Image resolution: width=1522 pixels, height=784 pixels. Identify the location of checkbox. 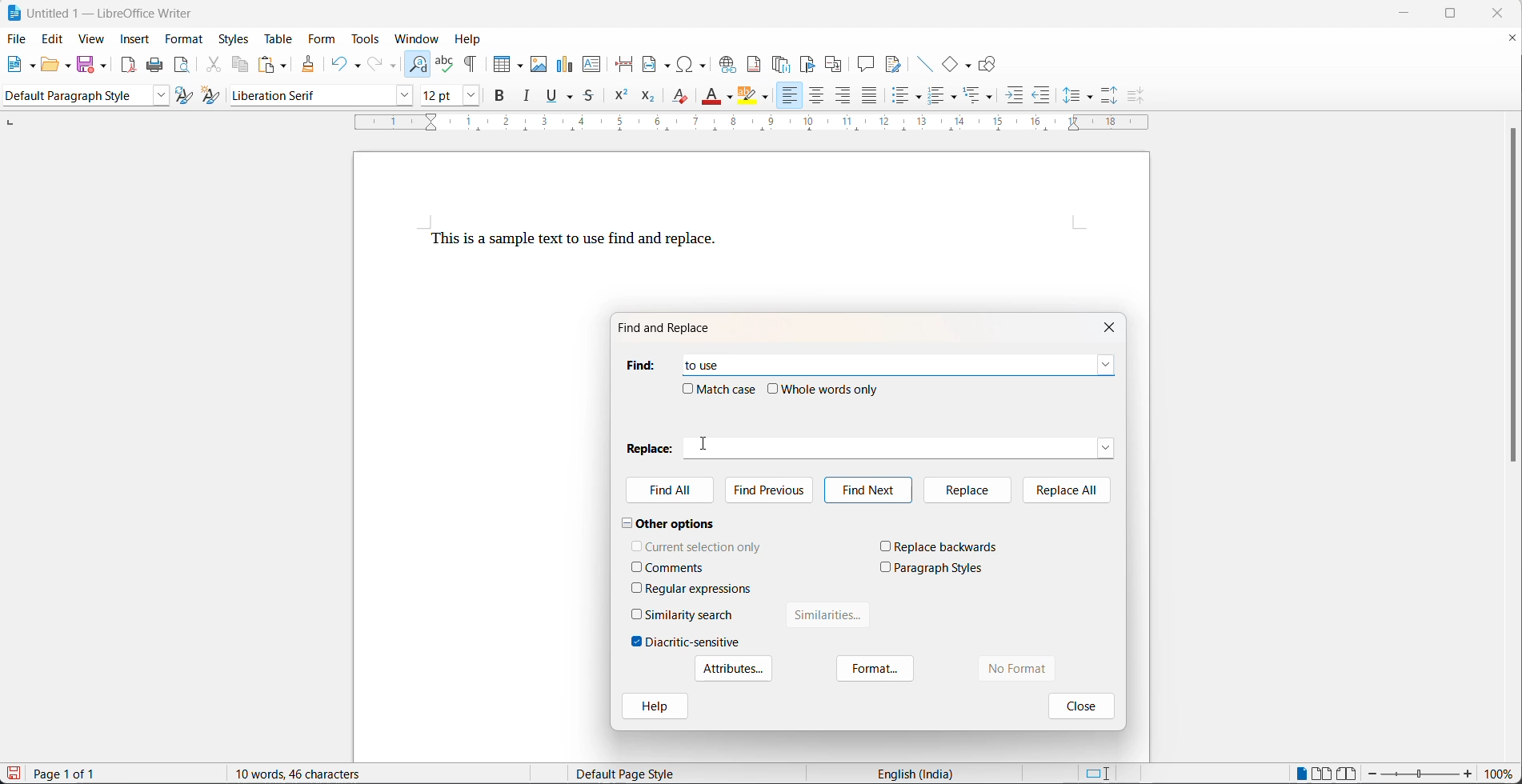
(637, 587).